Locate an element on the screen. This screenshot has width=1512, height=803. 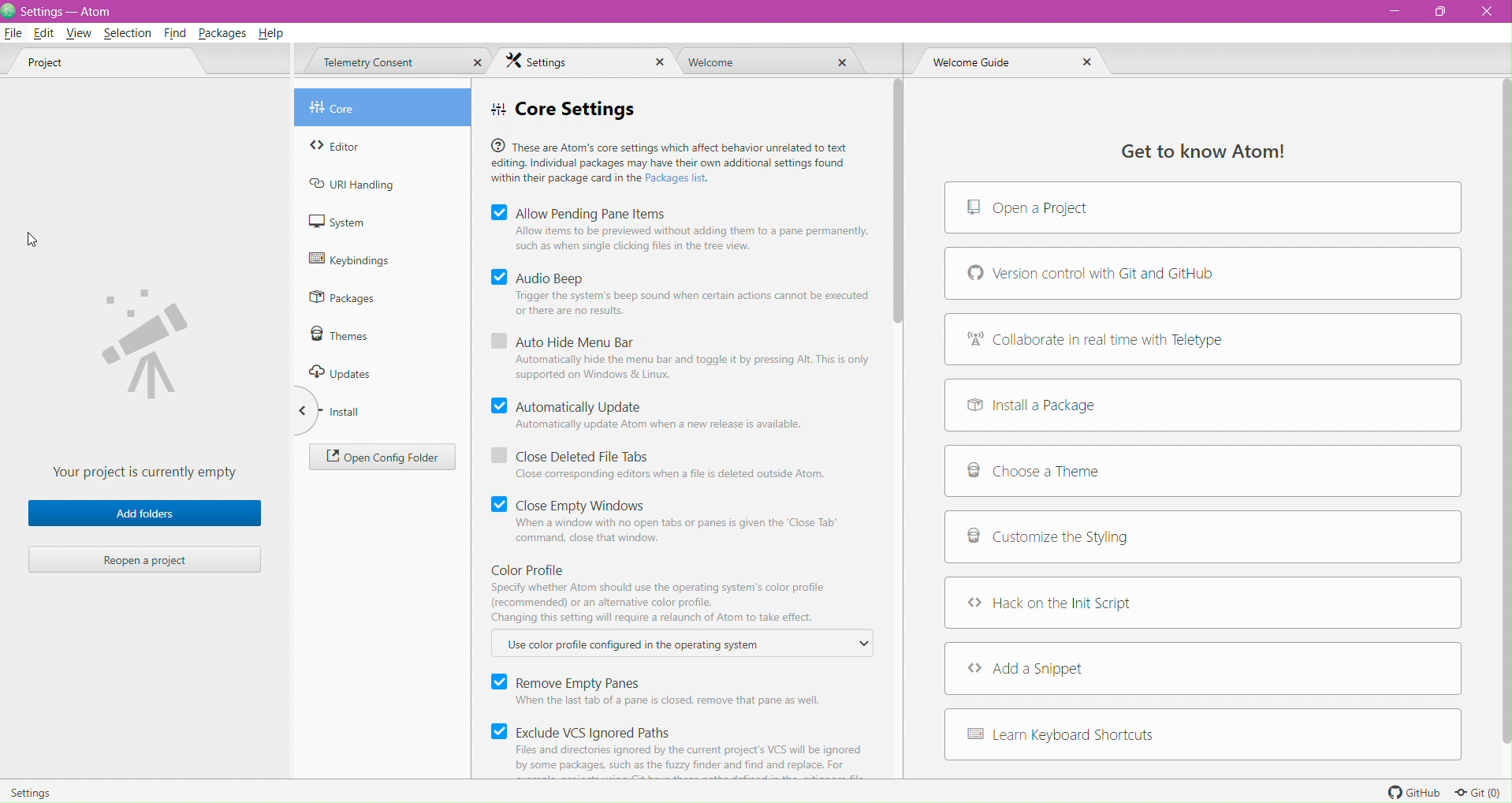
cursor is located at coordinates (32, 240).